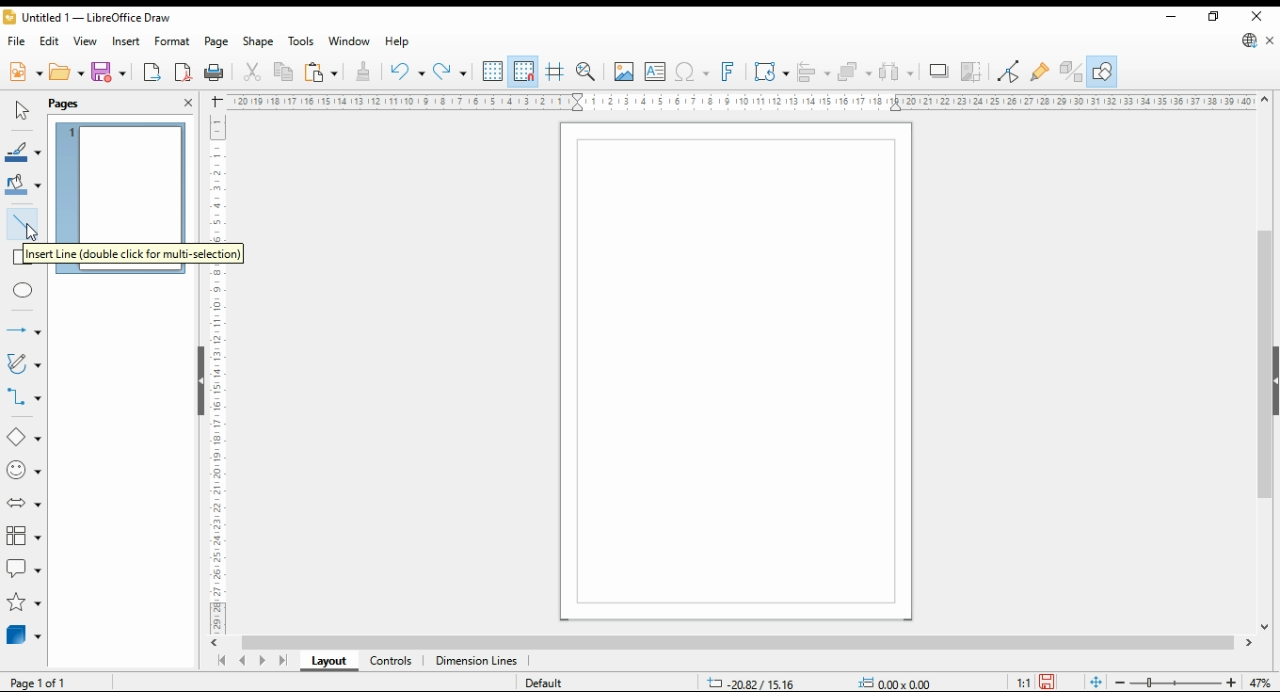 This screenshot has width=1280, height=692. I want to click on export, so click(152, 74).